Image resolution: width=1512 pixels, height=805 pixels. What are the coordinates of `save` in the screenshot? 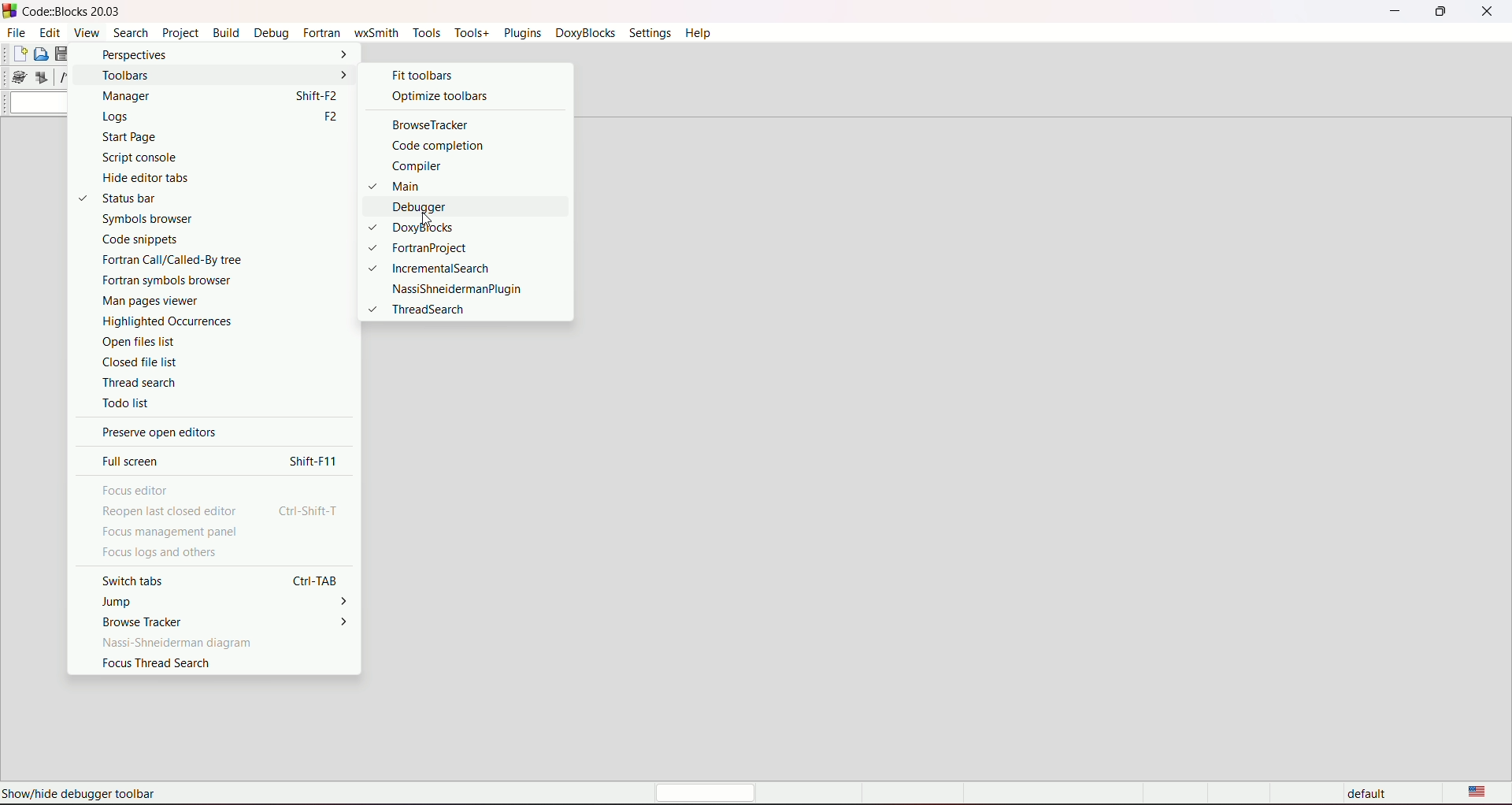 It's located at (63, 54).